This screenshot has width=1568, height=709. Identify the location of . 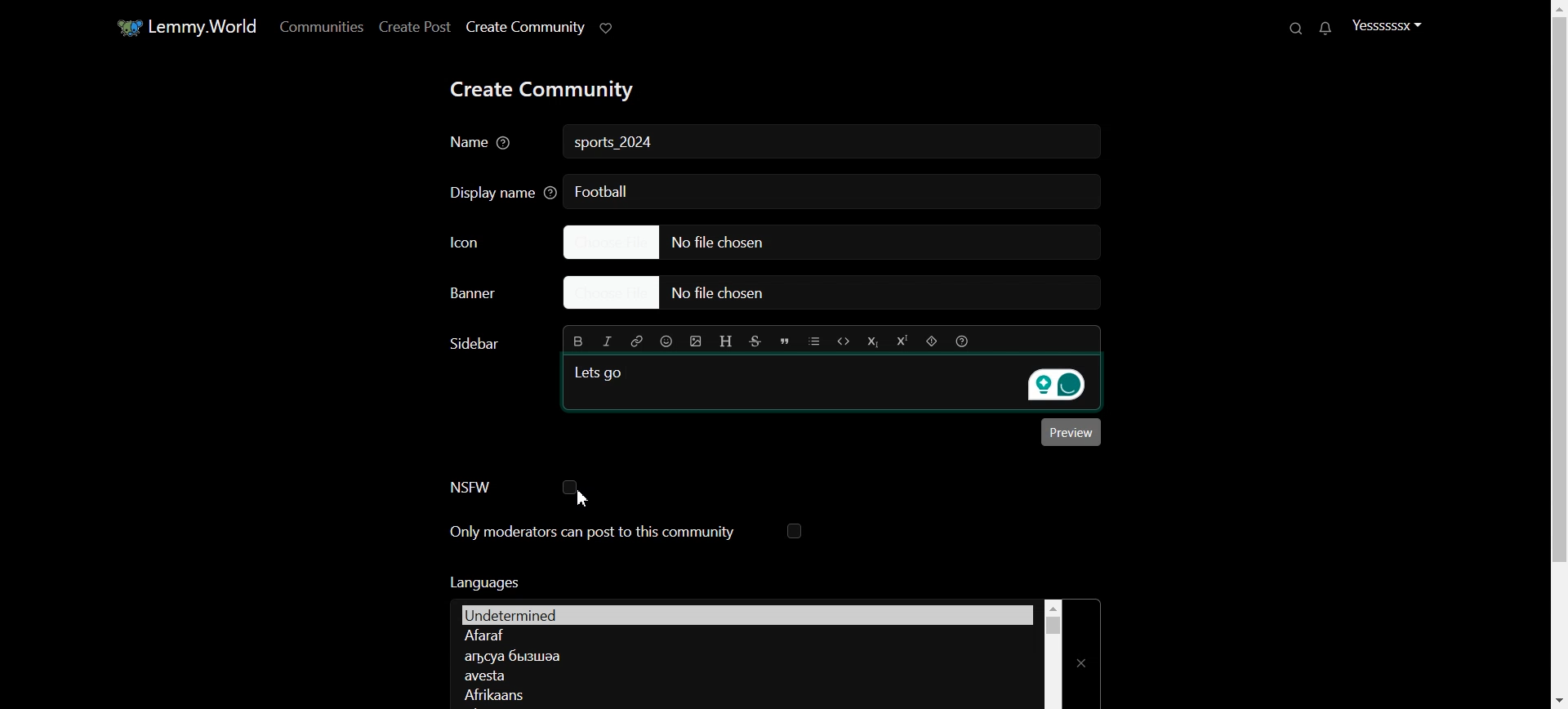
(544, 91).